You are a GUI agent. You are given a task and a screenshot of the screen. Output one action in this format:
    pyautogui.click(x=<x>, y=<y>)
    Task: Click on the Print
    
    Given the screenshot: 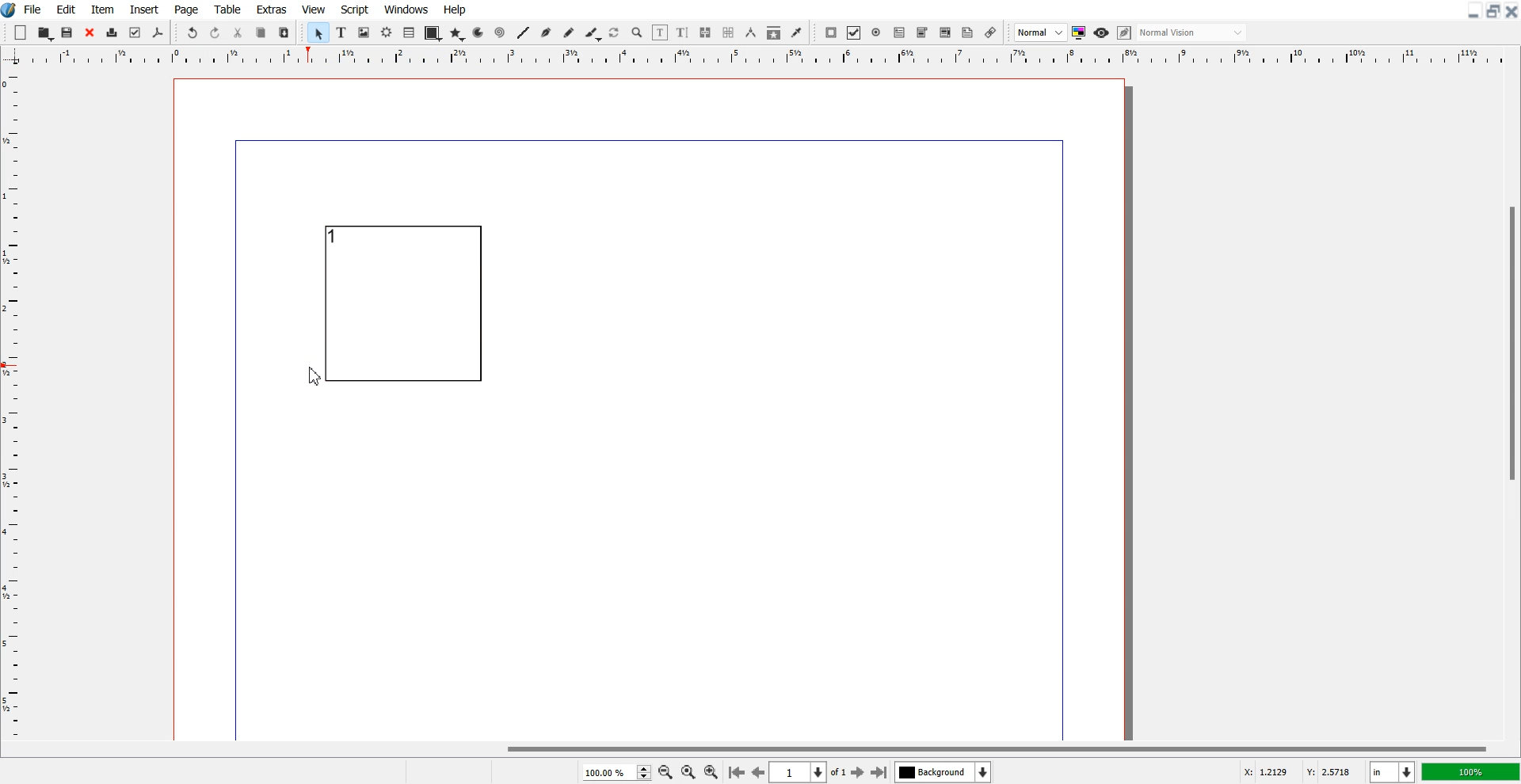 What is the action you would take?
    pyautogui.click(x=112, y=34)
    